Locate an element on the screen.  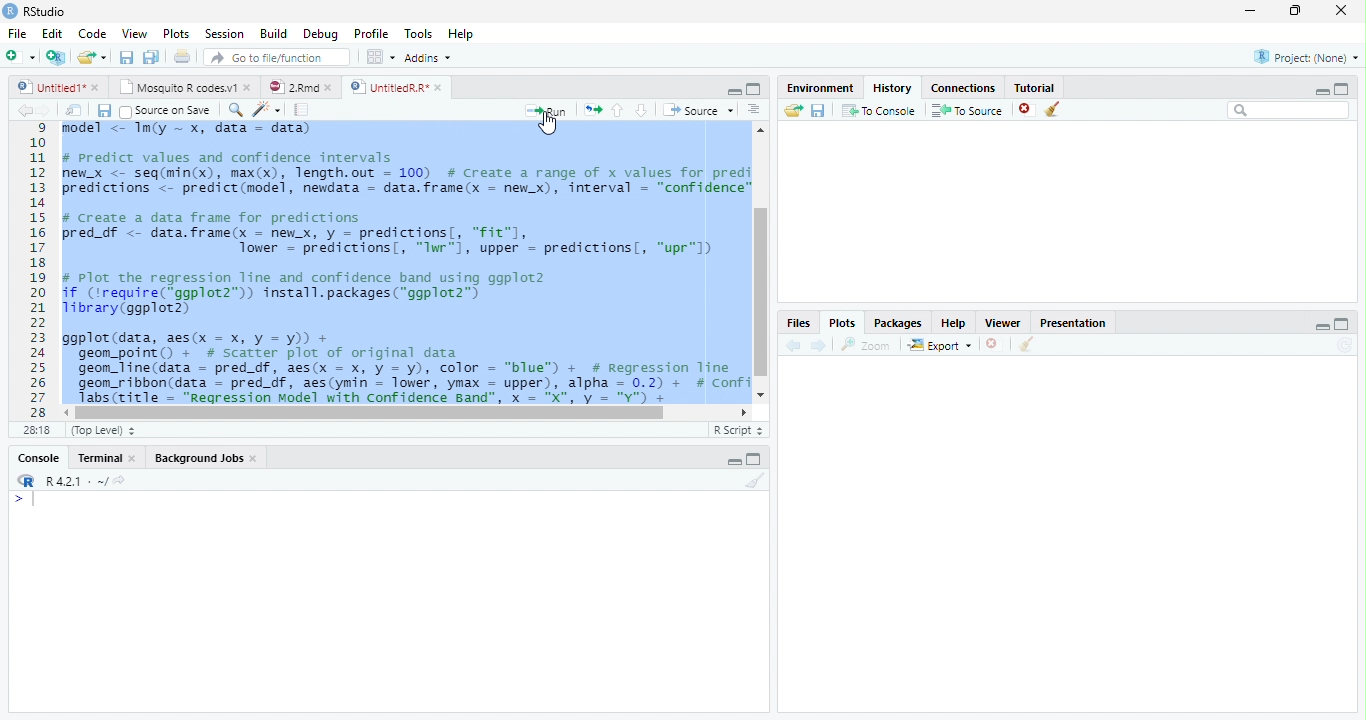
Untitled is located at coordinates (59, 86).